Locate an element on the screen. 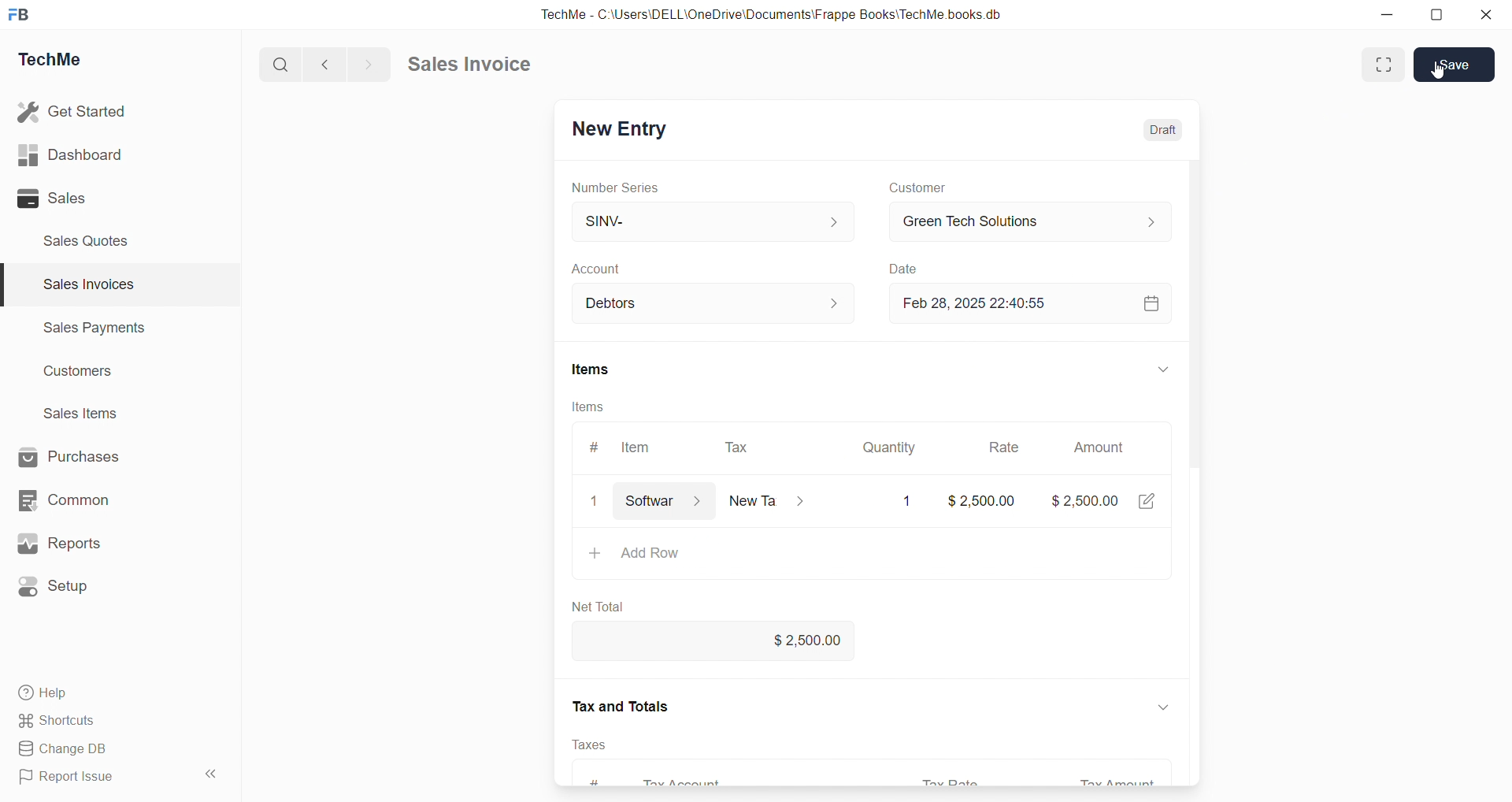 This screenshot has height=802, width=1512. Shortcuts is located at coordinates (59, 721).